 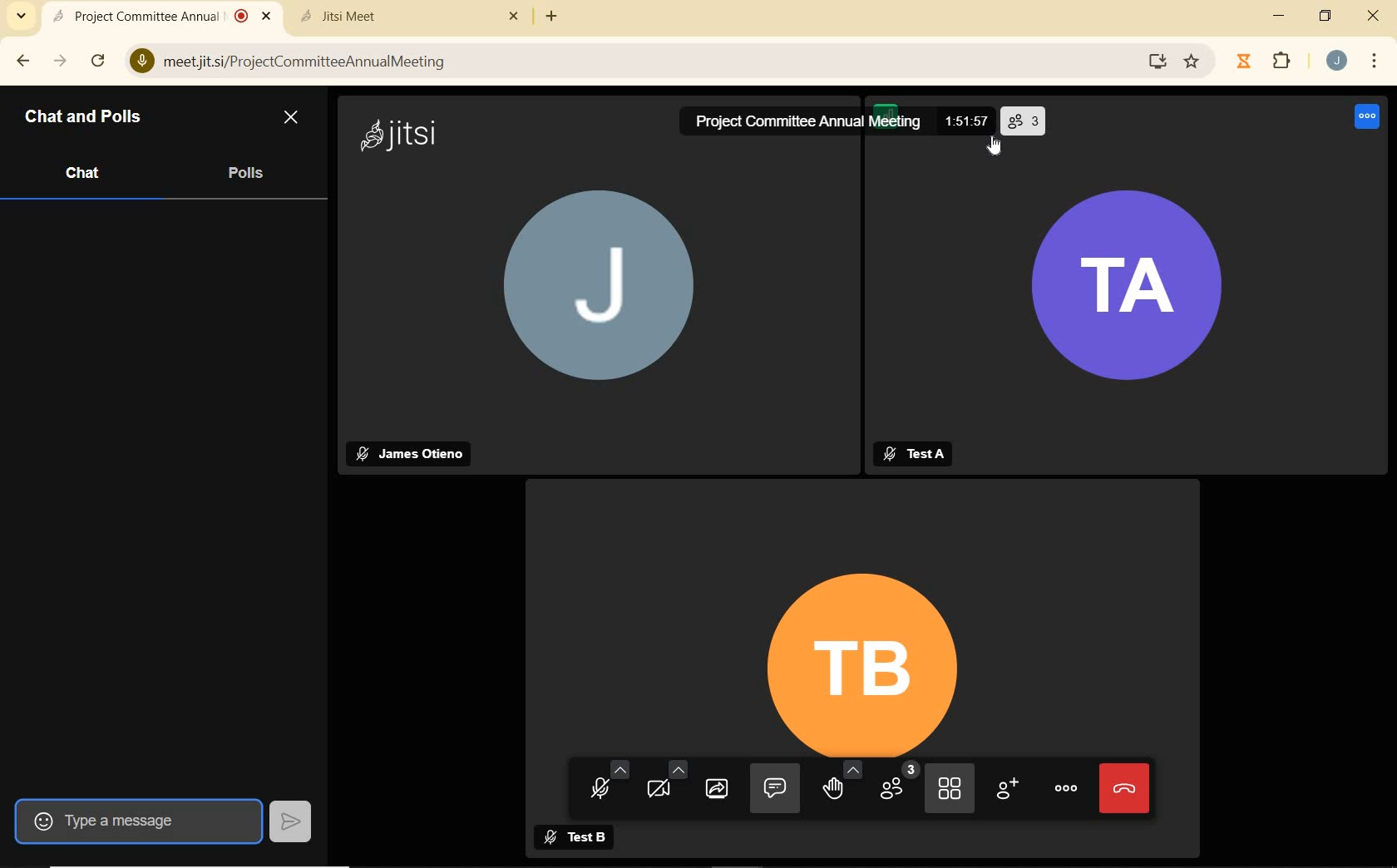 What do you see at coordinates (1242, 63) in the screenshot?
I see `Timer` at bounding box center [1242, 63].